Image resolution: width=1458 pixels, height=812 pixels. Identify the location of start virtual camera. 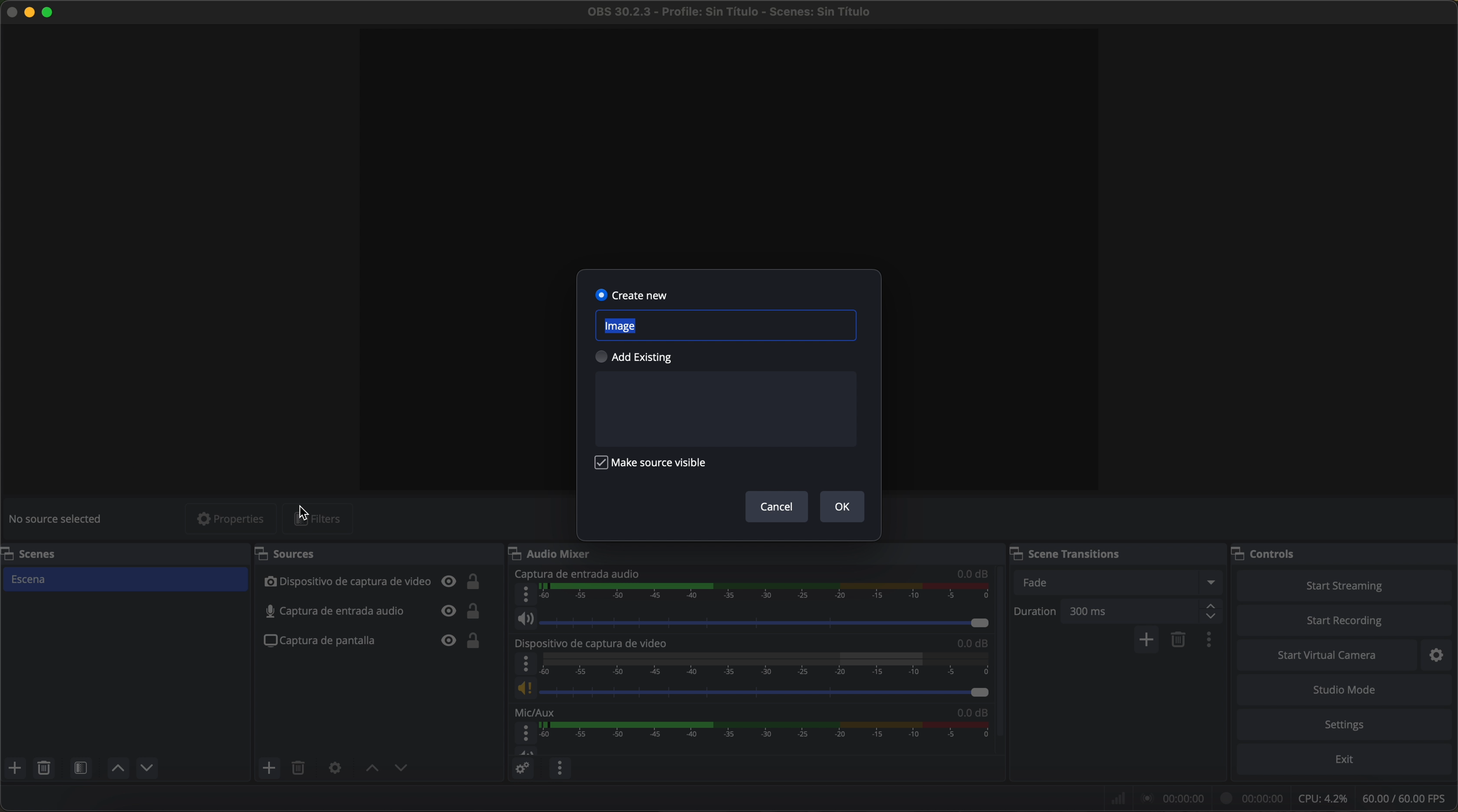
(1327, 655).